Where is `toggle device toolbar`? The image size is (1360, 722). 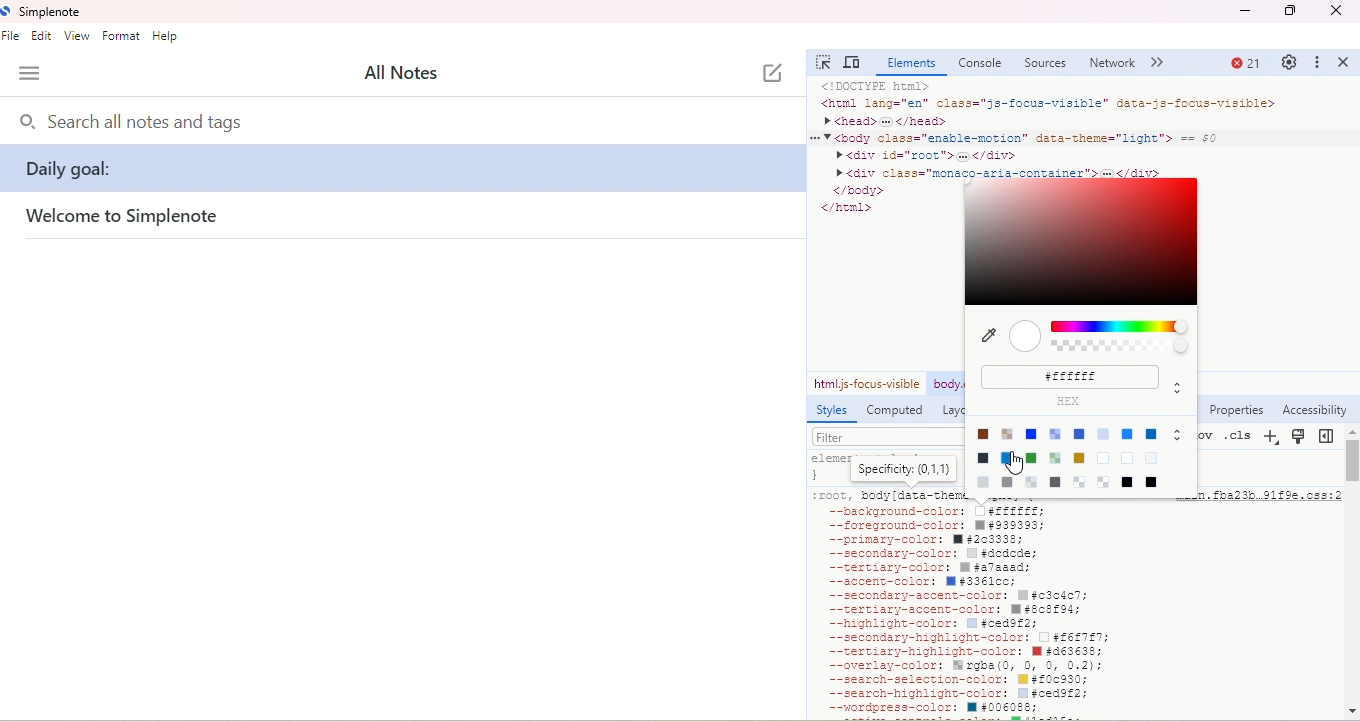 toggle device toolbar is located at coordinates (853, 63).